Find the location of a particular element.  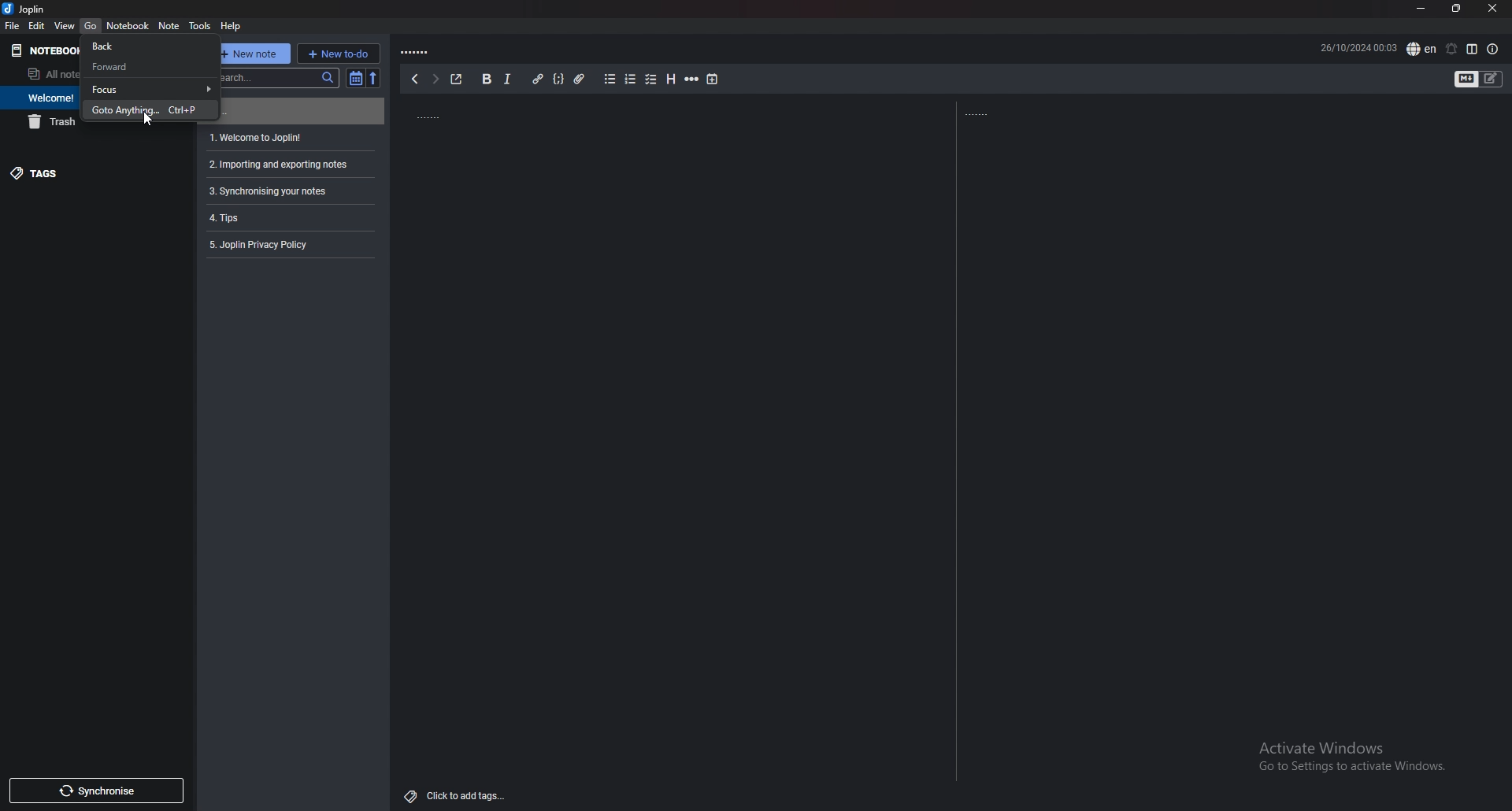

note is located at coordinates (169, 25).